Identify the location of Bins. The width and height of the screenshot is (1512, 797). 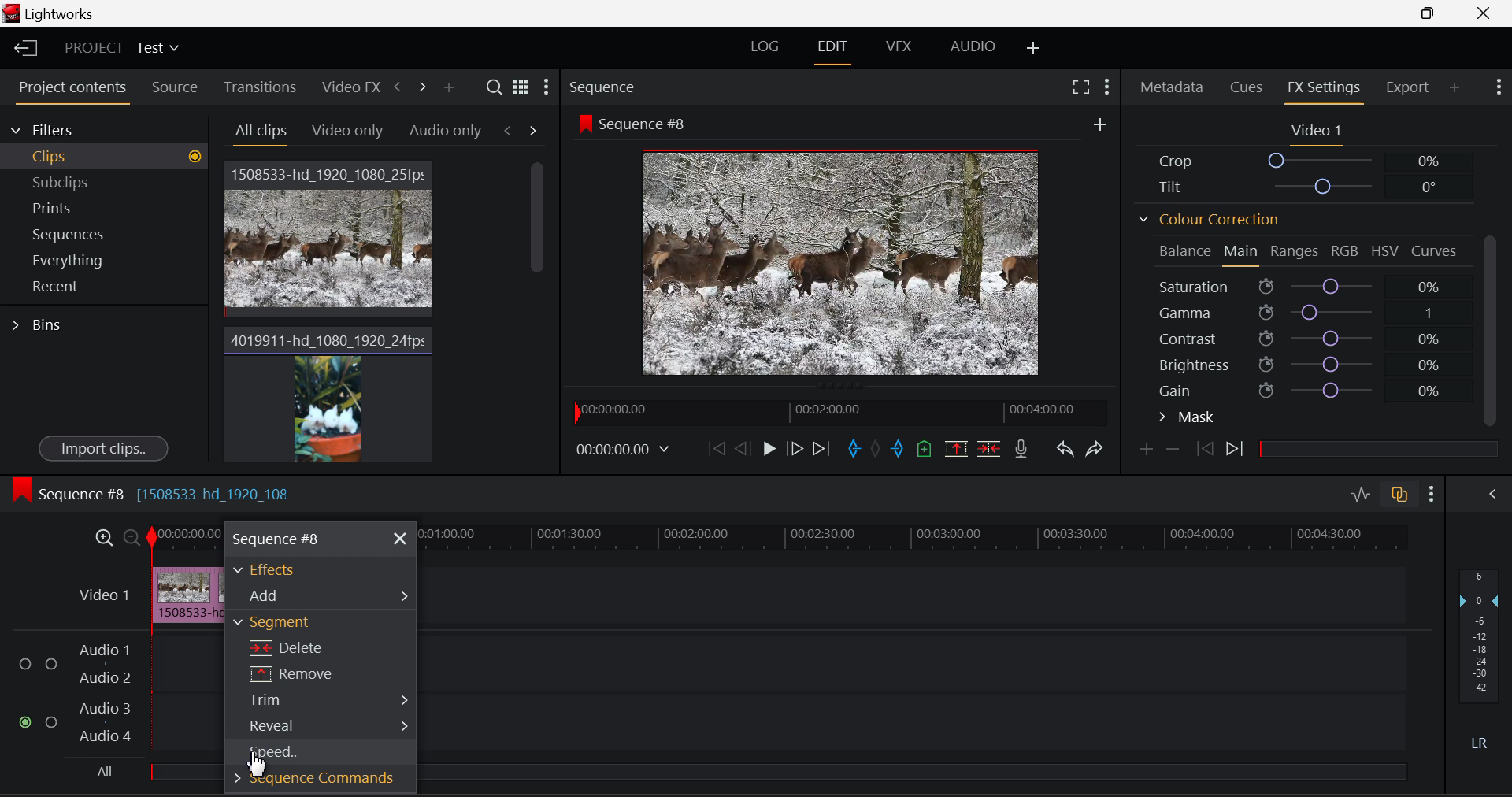
(102, 325).